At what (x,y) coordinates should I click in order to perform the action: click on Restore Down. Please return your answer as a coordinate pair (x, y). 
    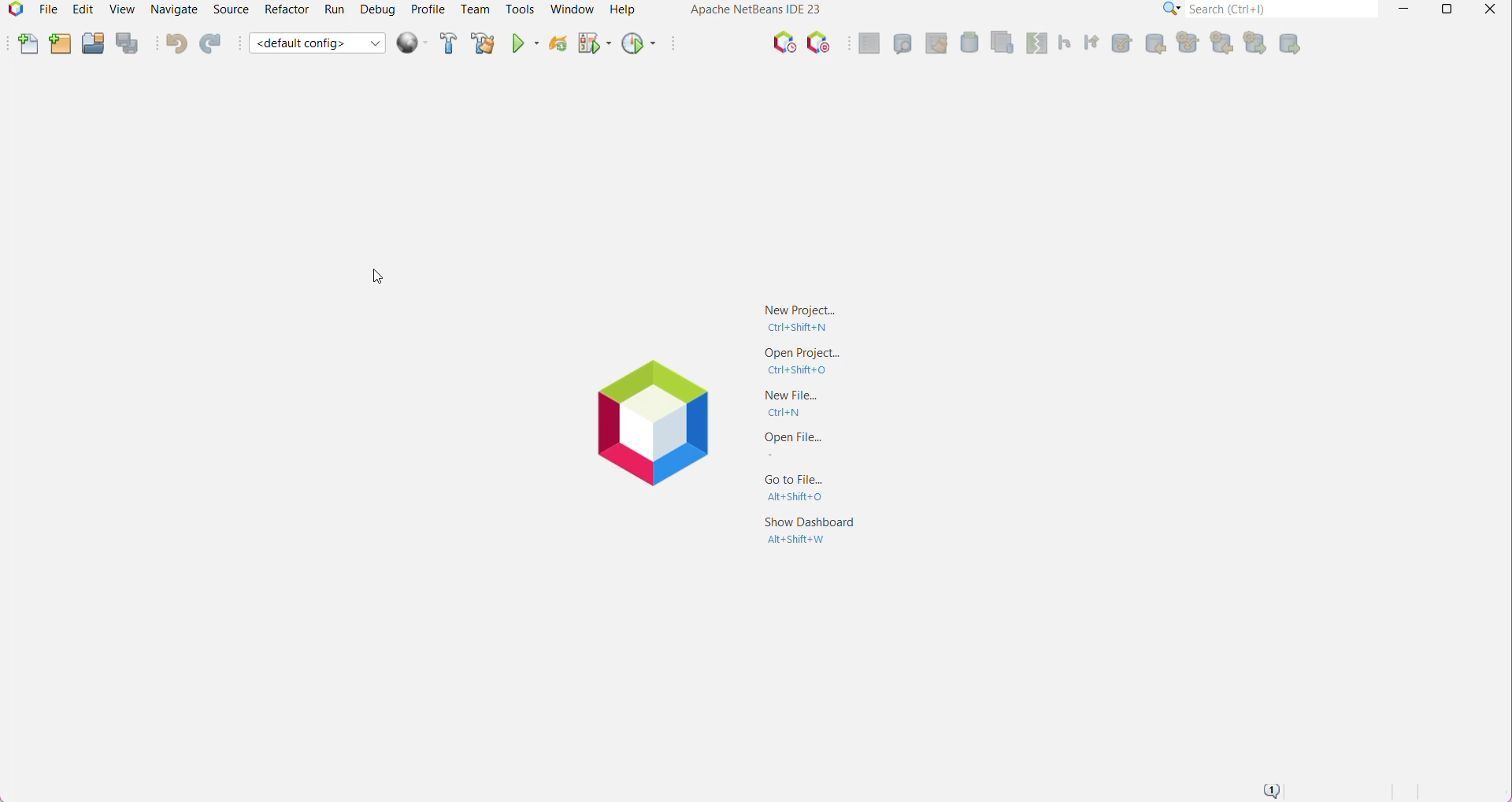
    Looking at the image, I should click on (1444, 9).